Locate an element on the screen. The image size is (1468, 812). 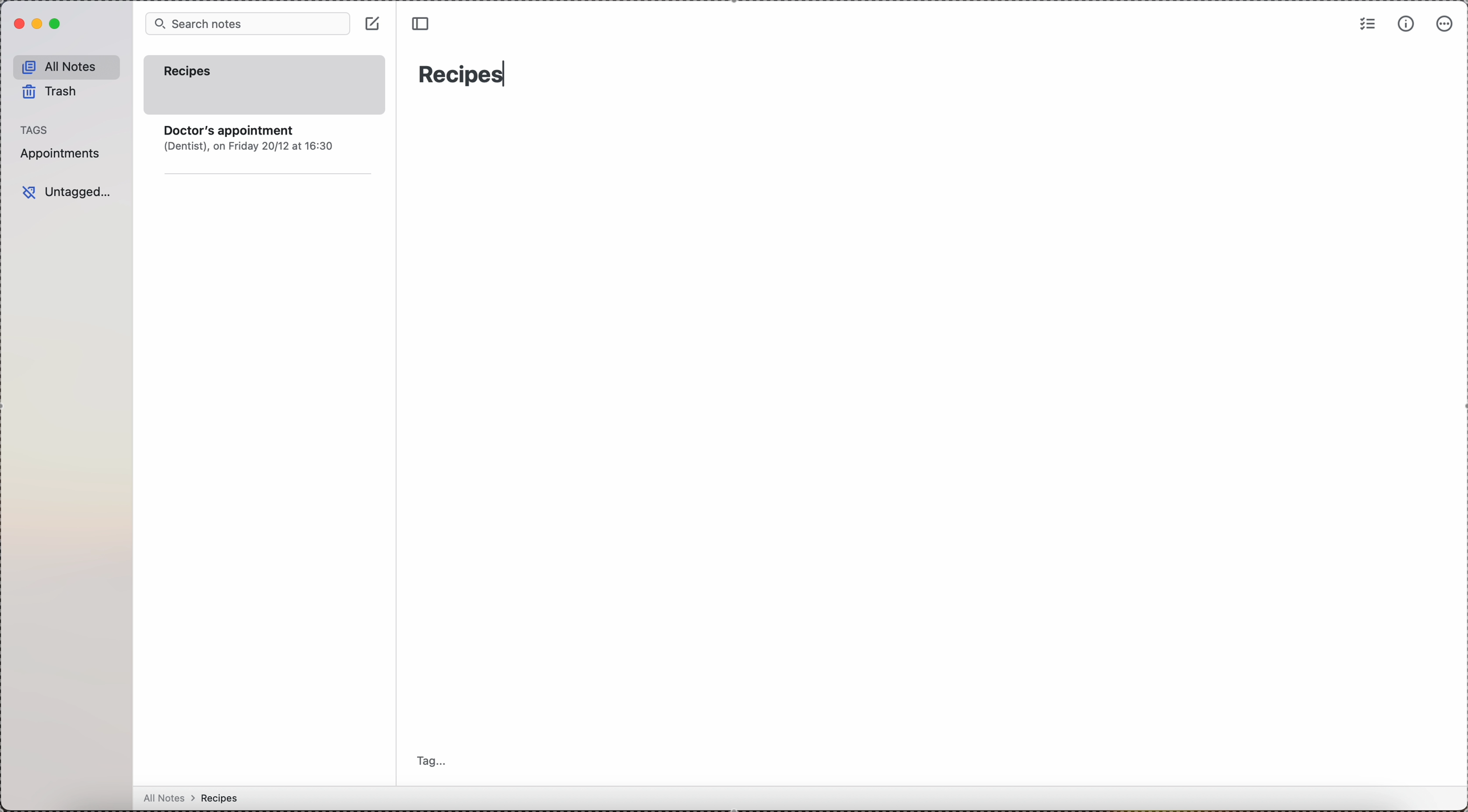
search bar is located at coordinates (247, 24).